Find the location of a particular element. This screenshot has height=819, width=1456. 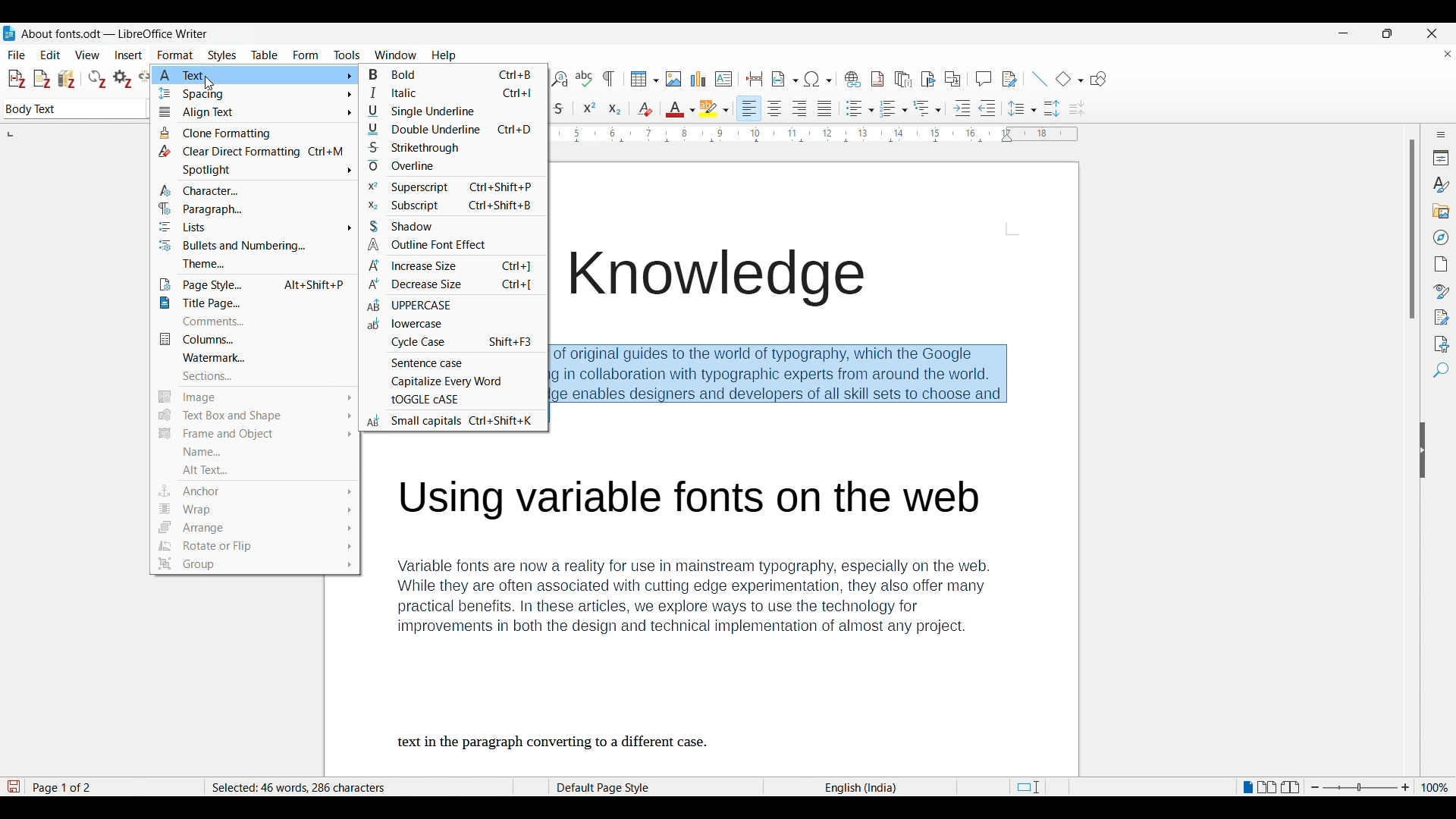

Style inspector is located at coordinates (1441, 291).